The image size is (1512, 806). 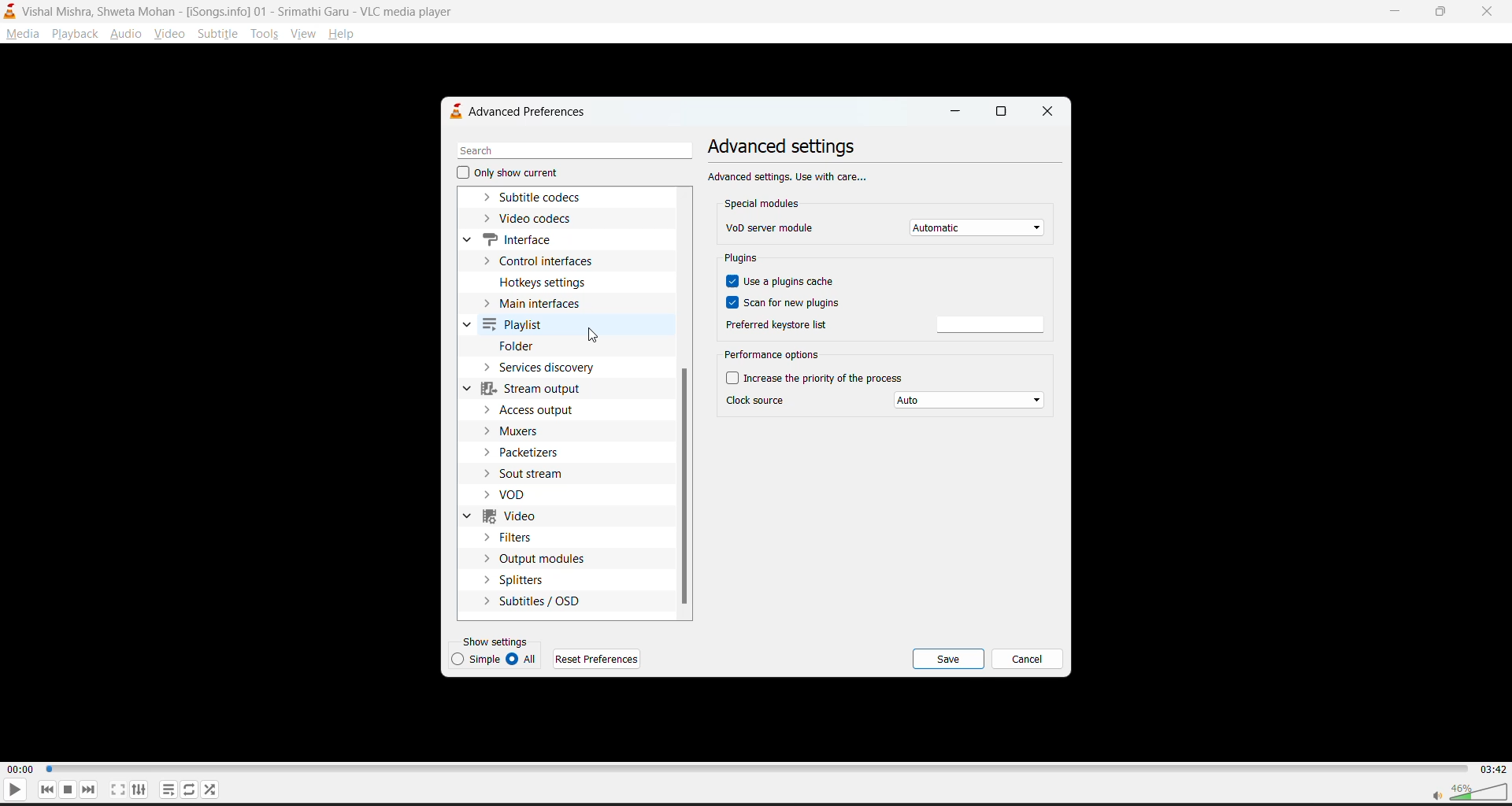 I want to click on 03:42, so click(x=1490, y=767).